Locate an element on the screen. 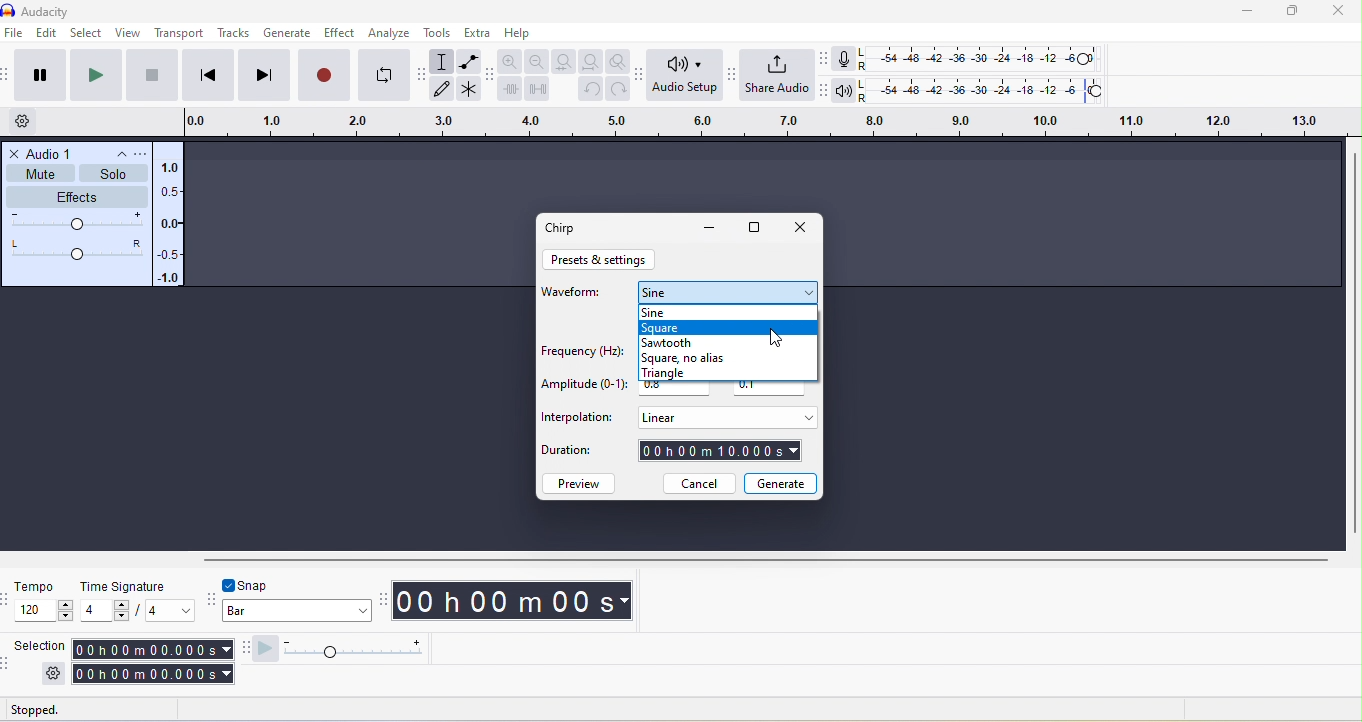  audacity share audio toolbar is located at coordinates (736, 80).